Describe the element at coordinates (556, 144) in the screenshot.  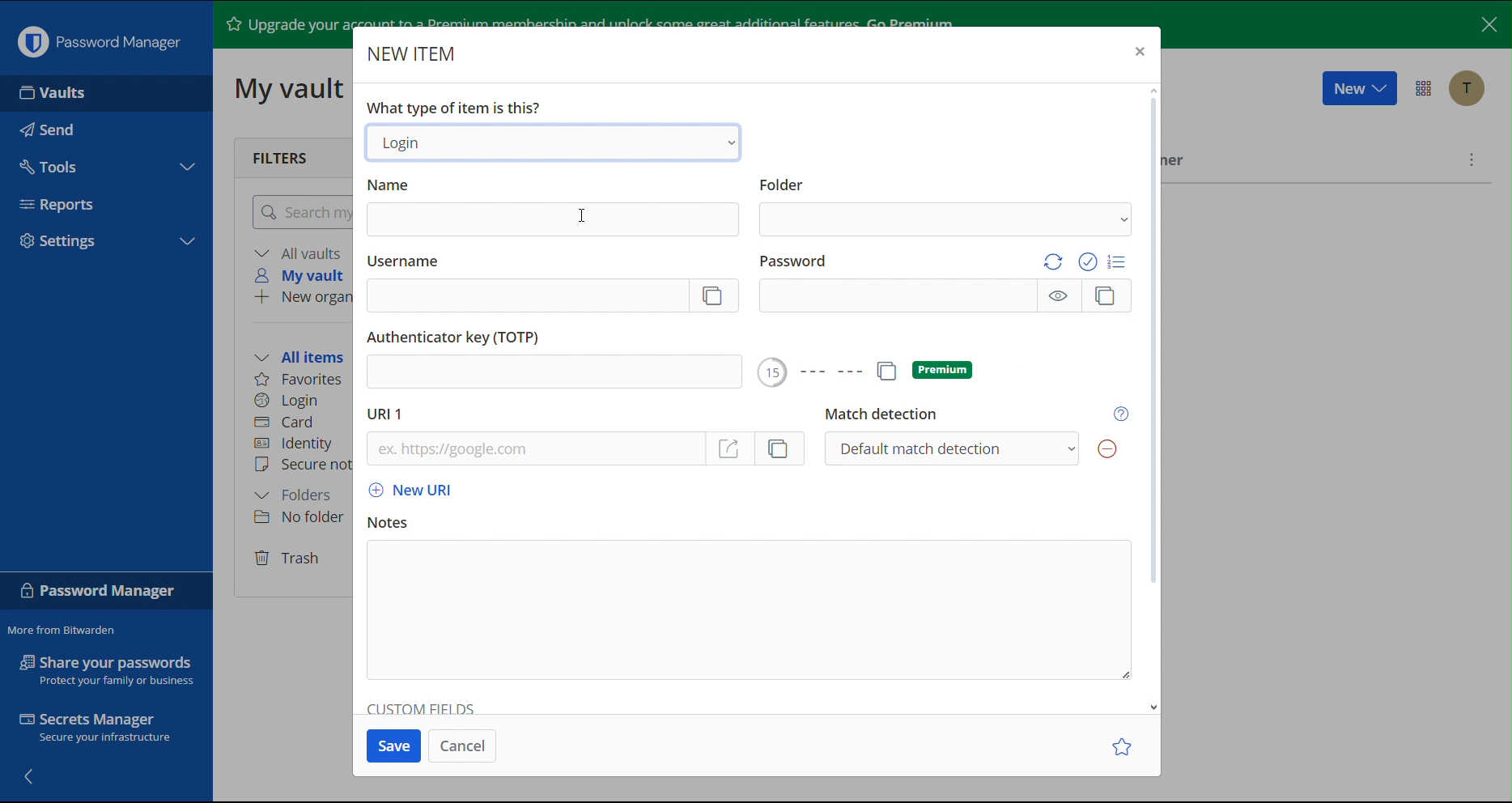
I see `Login` at that location.